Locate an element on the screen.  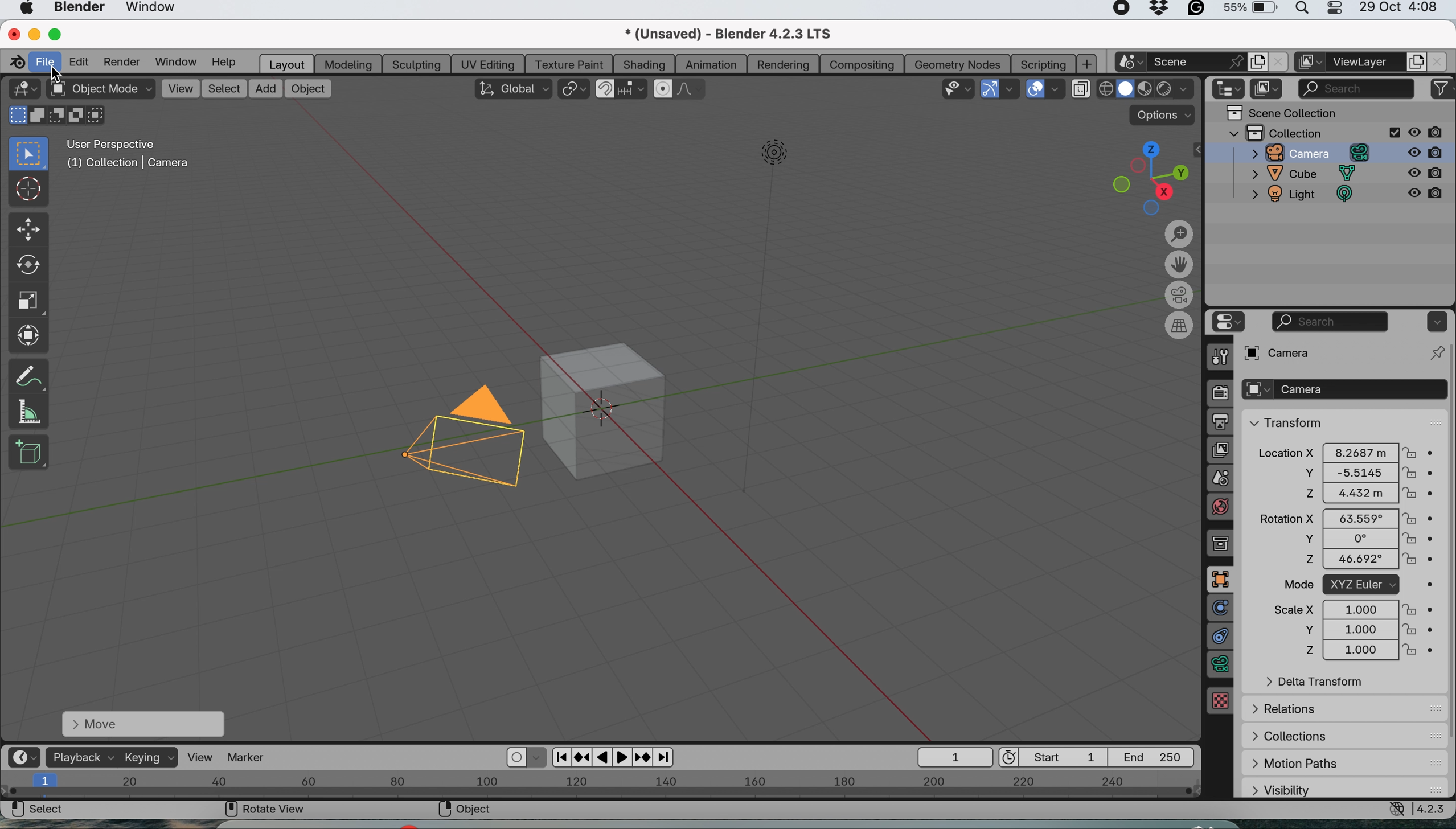
physics is located at coordinates (1221, 607).